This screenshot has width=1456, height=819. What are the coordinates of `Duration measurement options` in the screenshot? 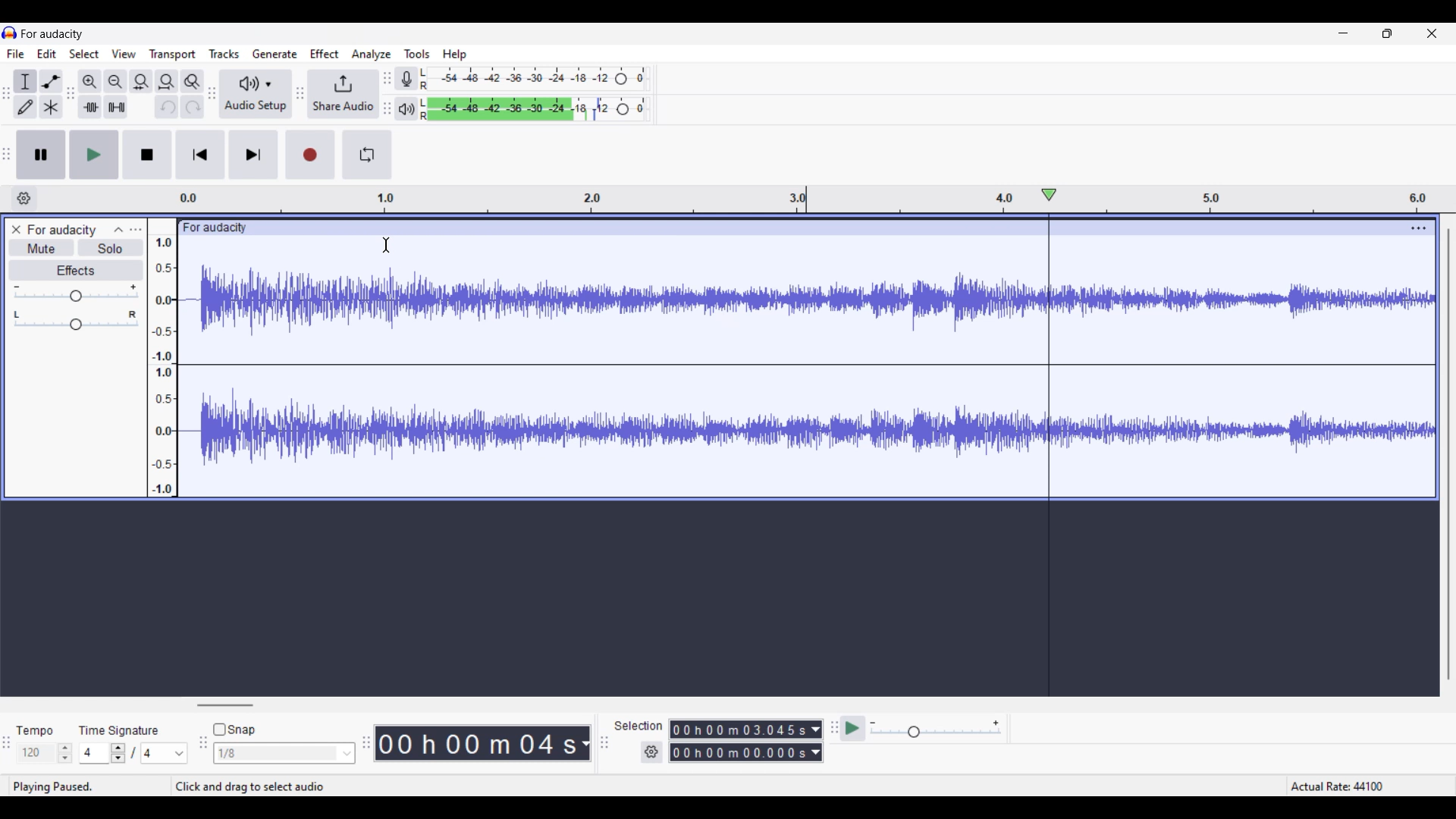 It's located at (816, 741).